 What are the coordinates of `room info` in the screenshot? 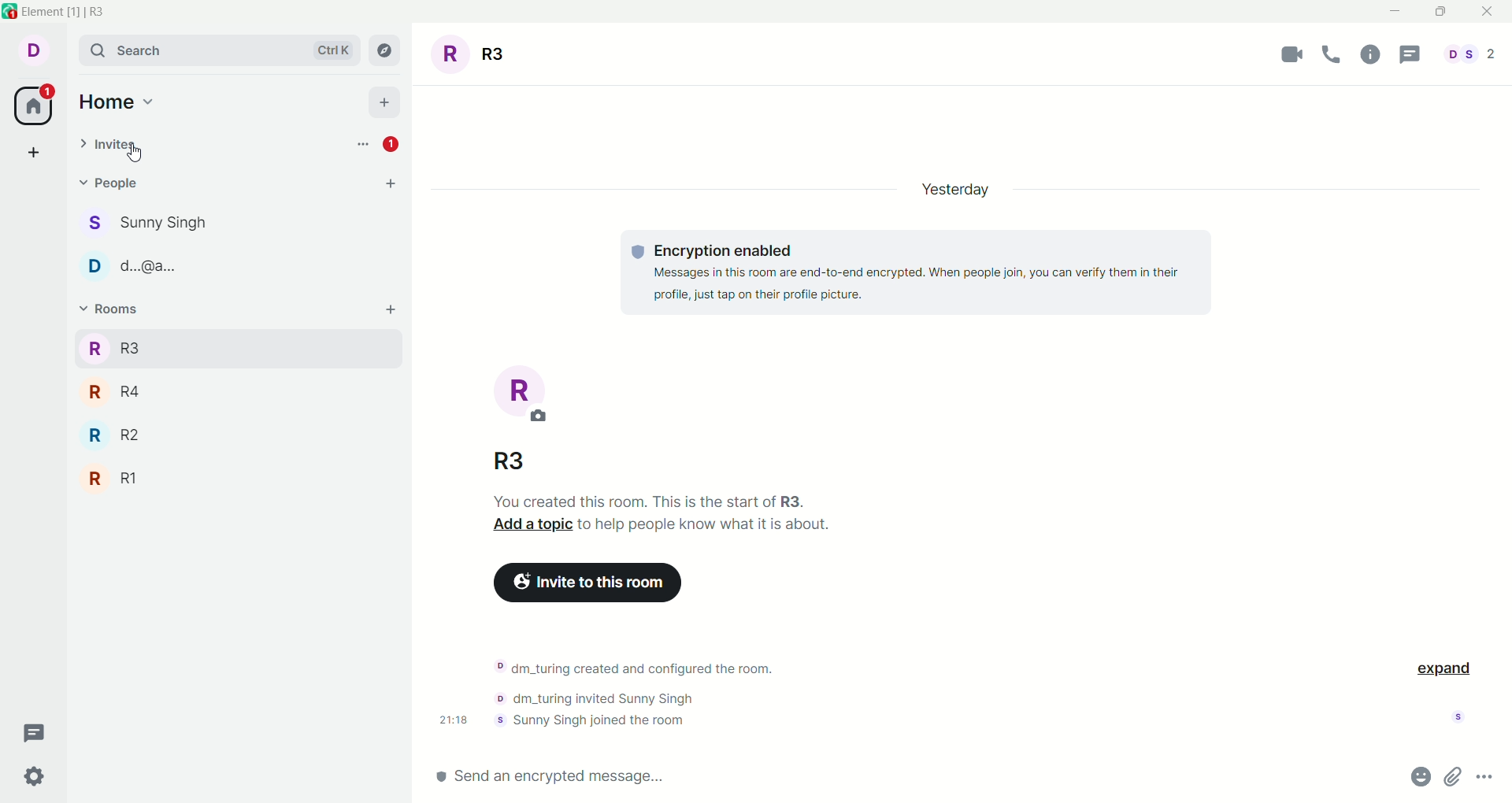 It's located at (1376, 57).